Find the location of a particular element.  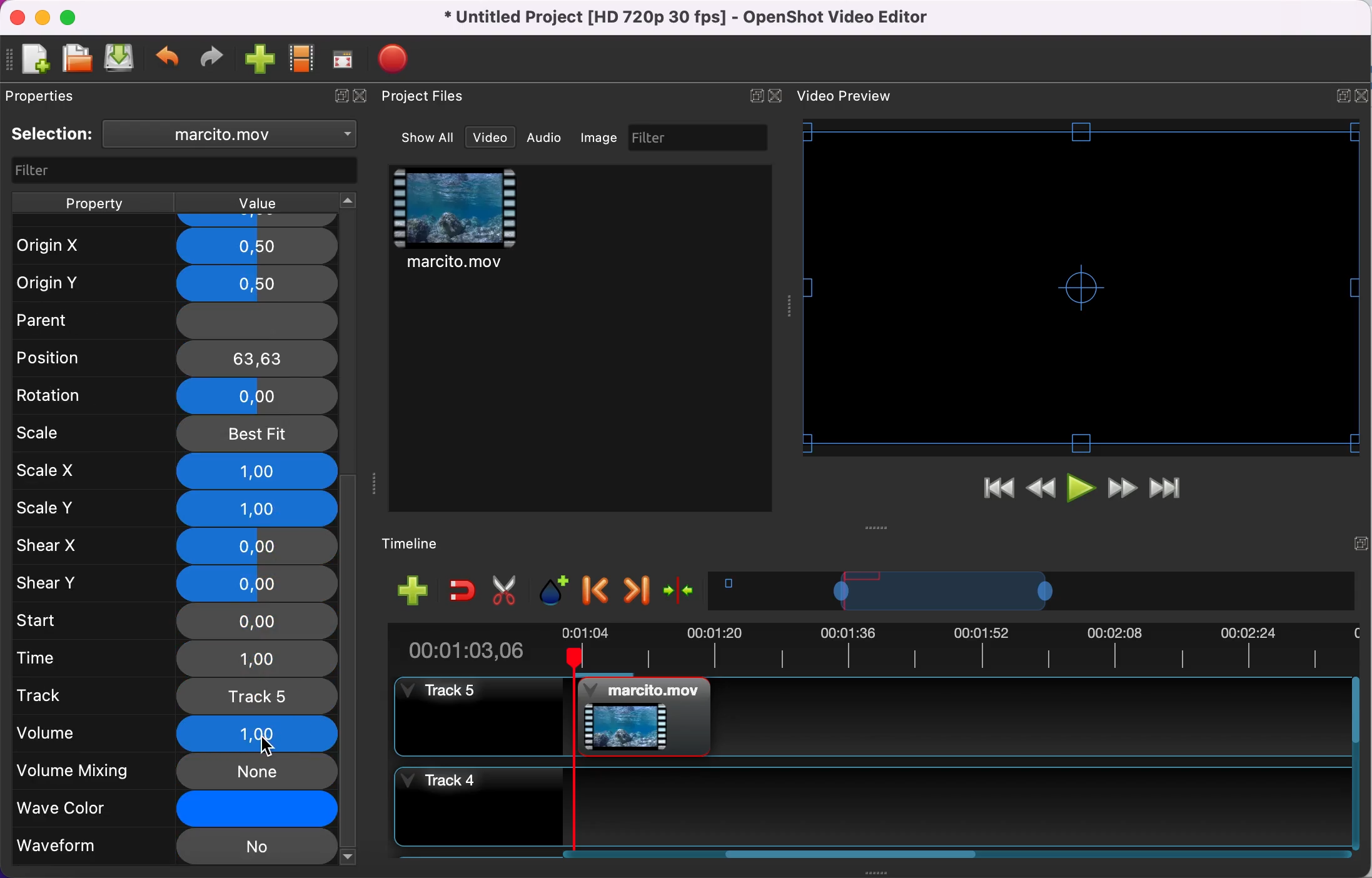

audio is located at coordinates (545, 137).